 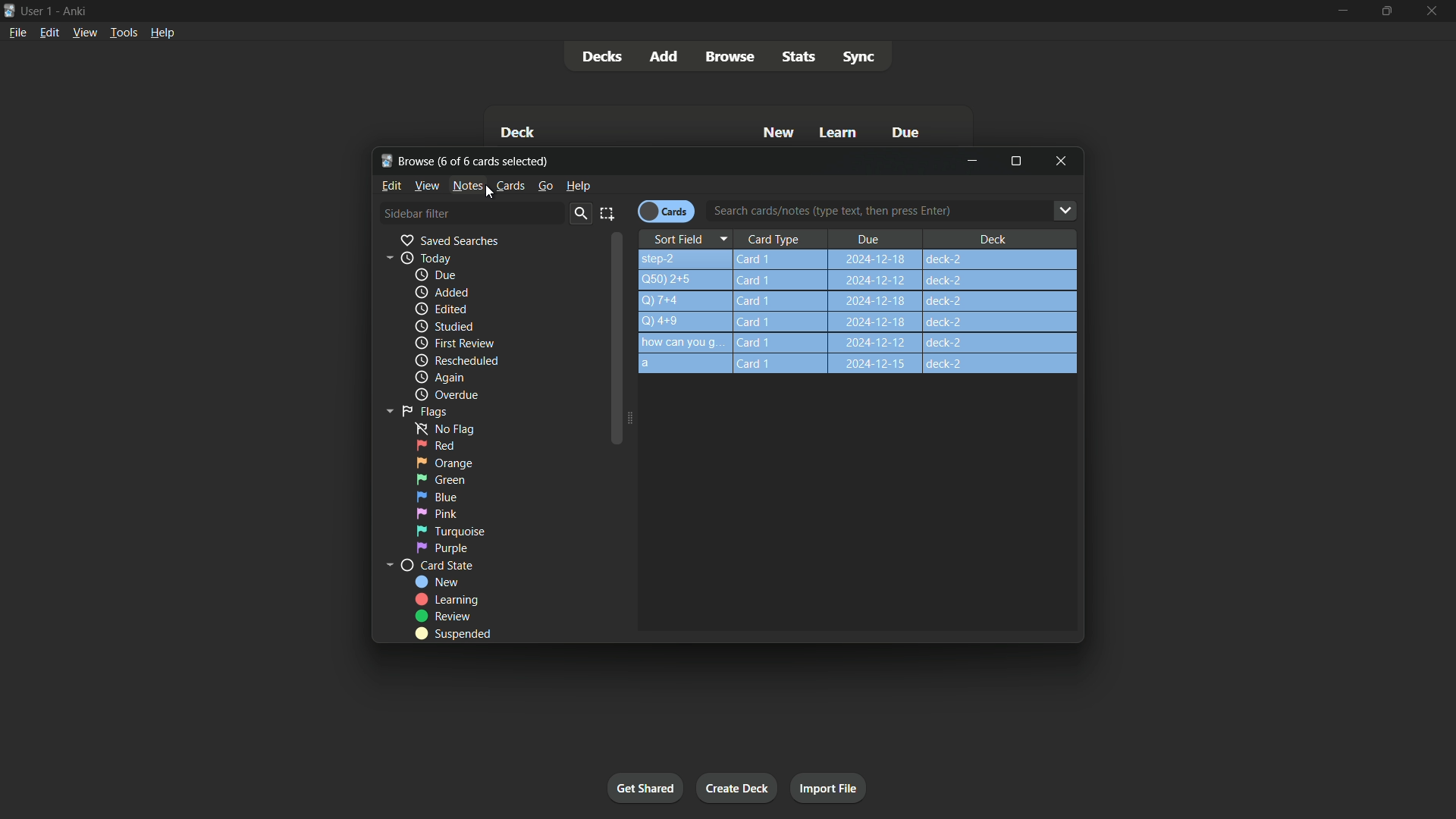 What do you see at coordinates (49, 34) in the screenshot?
I see `Edit menu` at bounding box center [49, 34].